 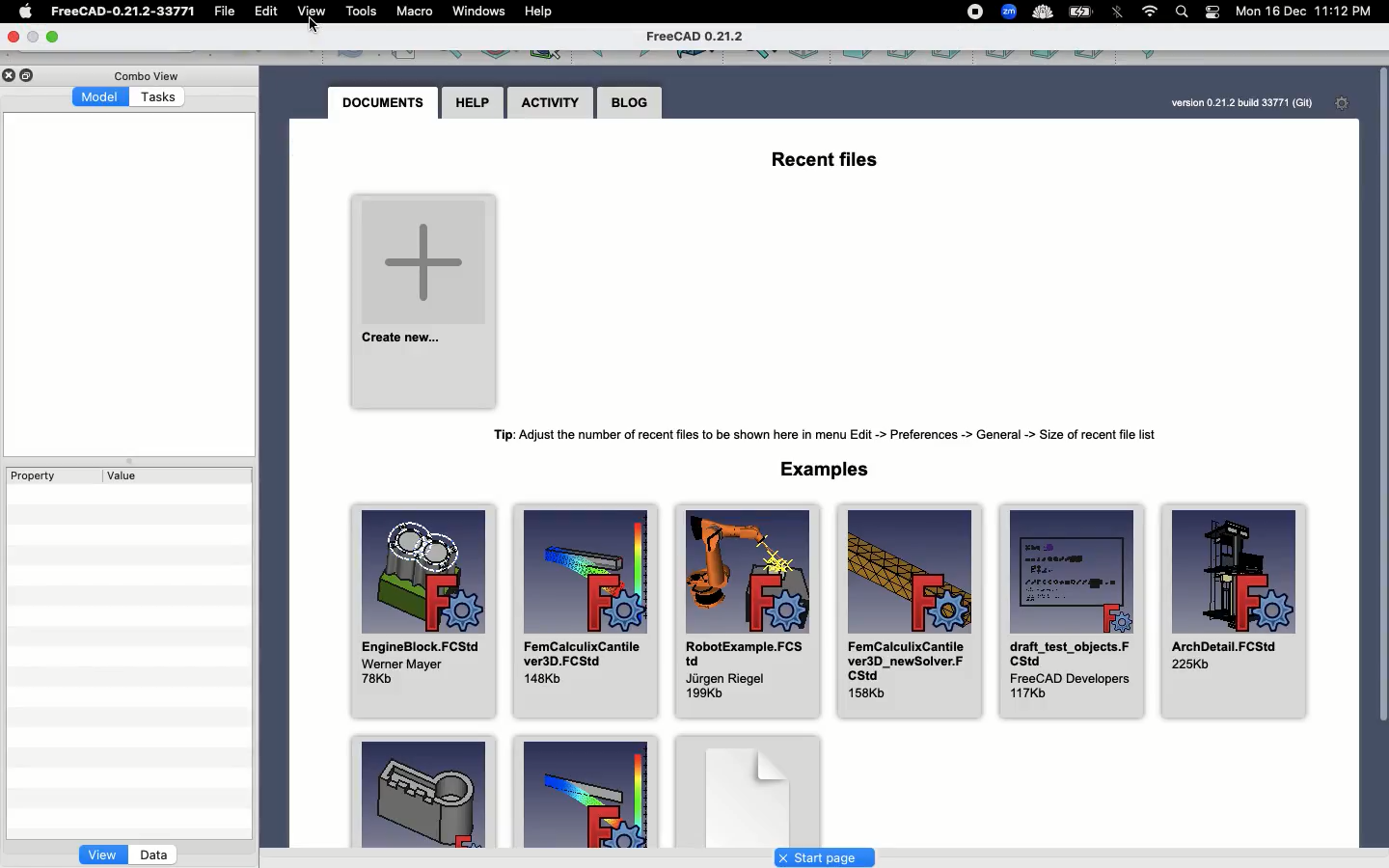 I want to click on Cursor, so click(x=314, y=31).